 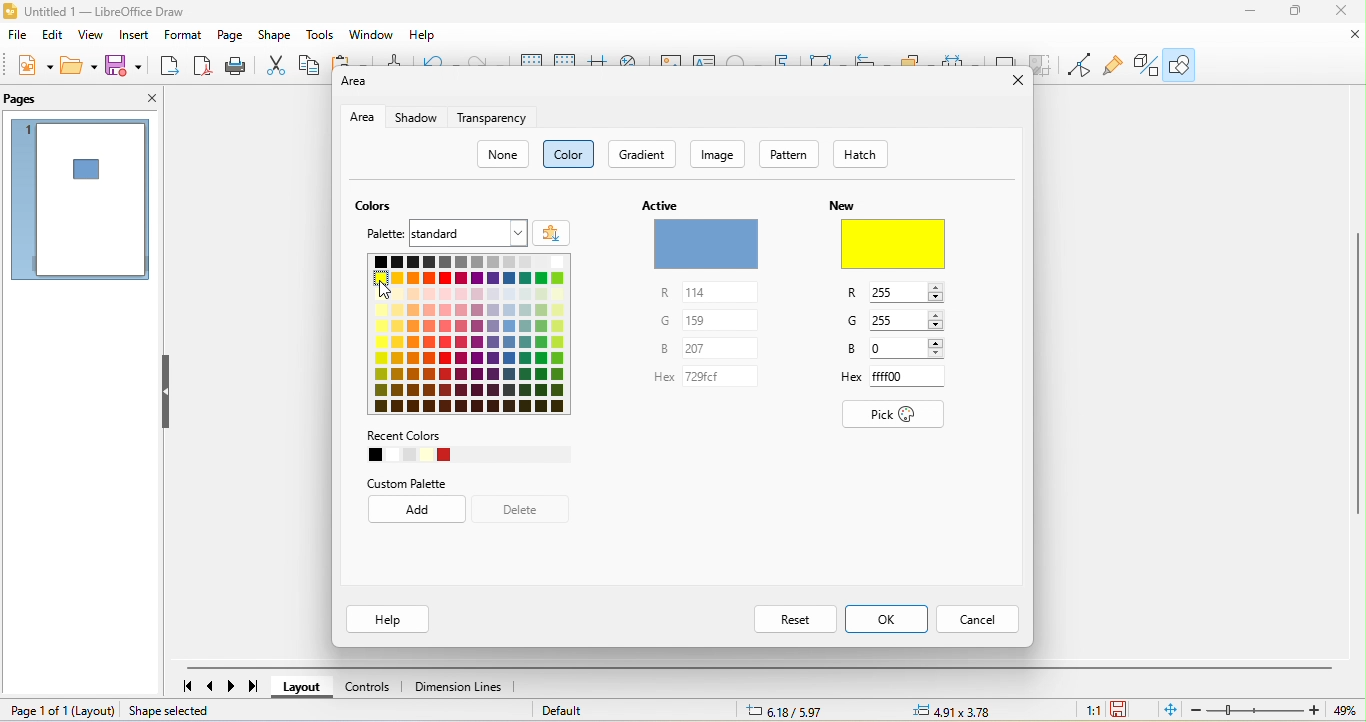 I want to click on export, so click(x=169, y=68).